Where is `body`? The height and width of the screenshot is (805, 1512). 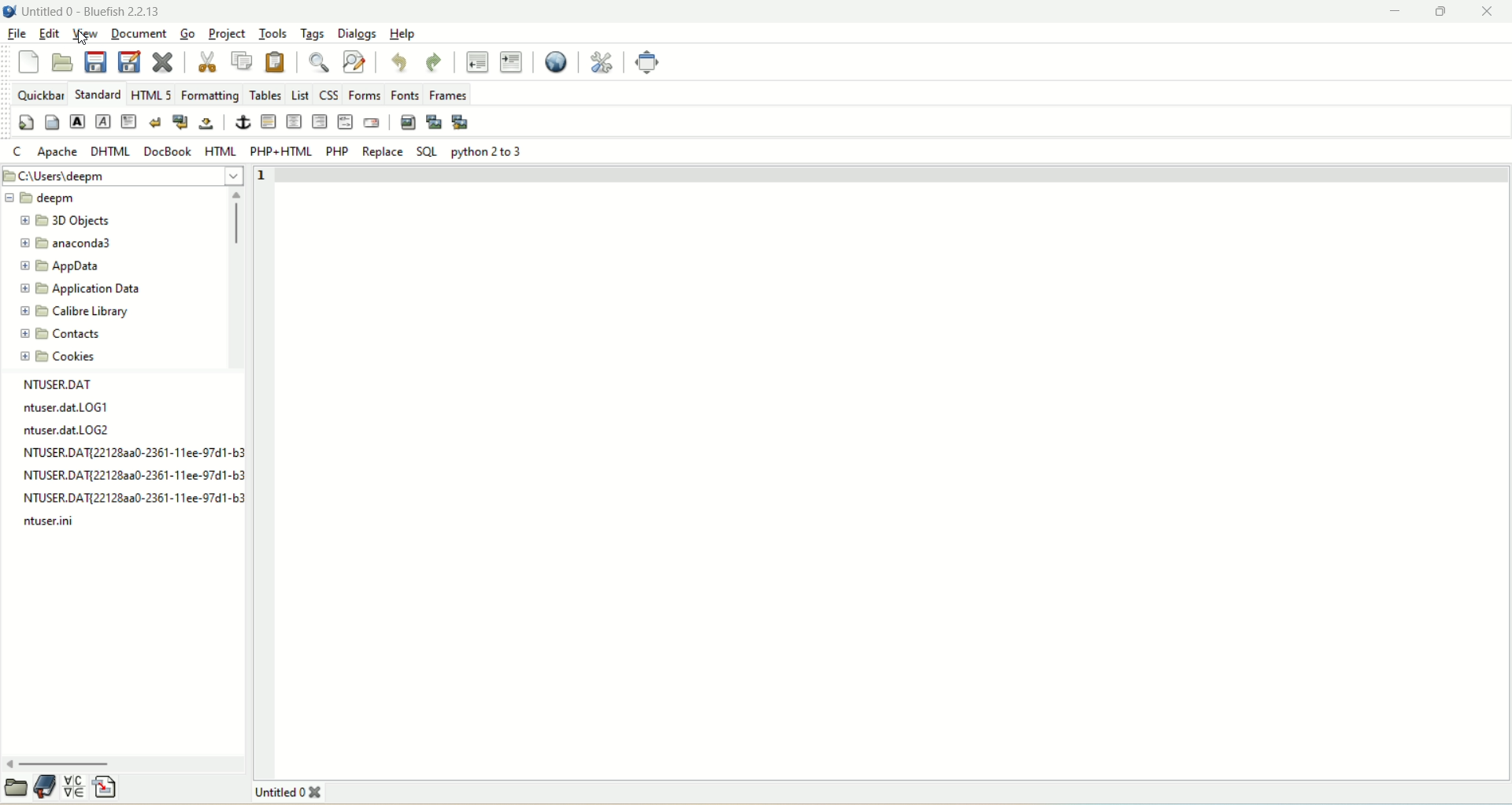 body is located at coordinates (52, 122).